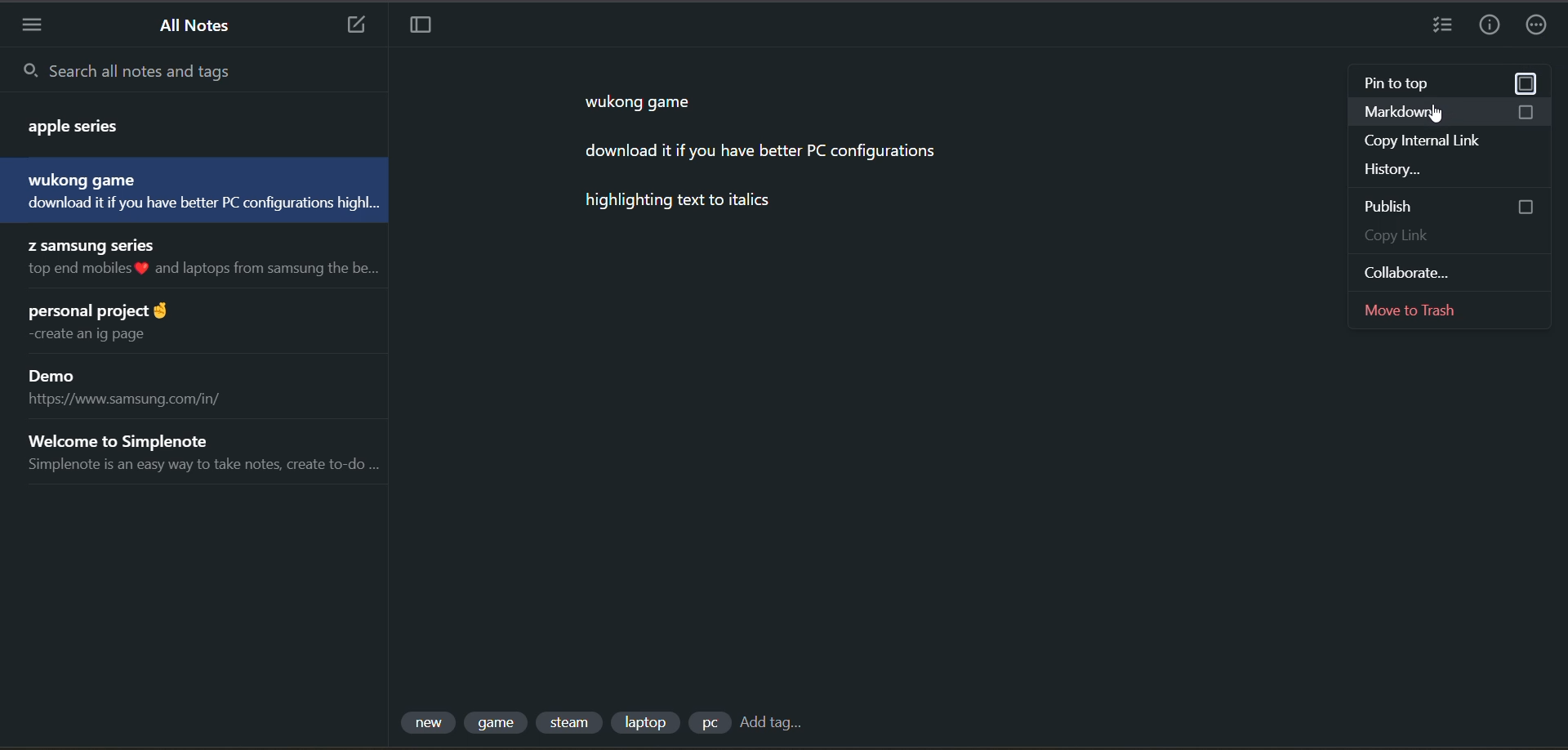  What do you see at coordinates (1437, 113) in the screenshot?
I see `cursor` at bounding box center [1437, 113].